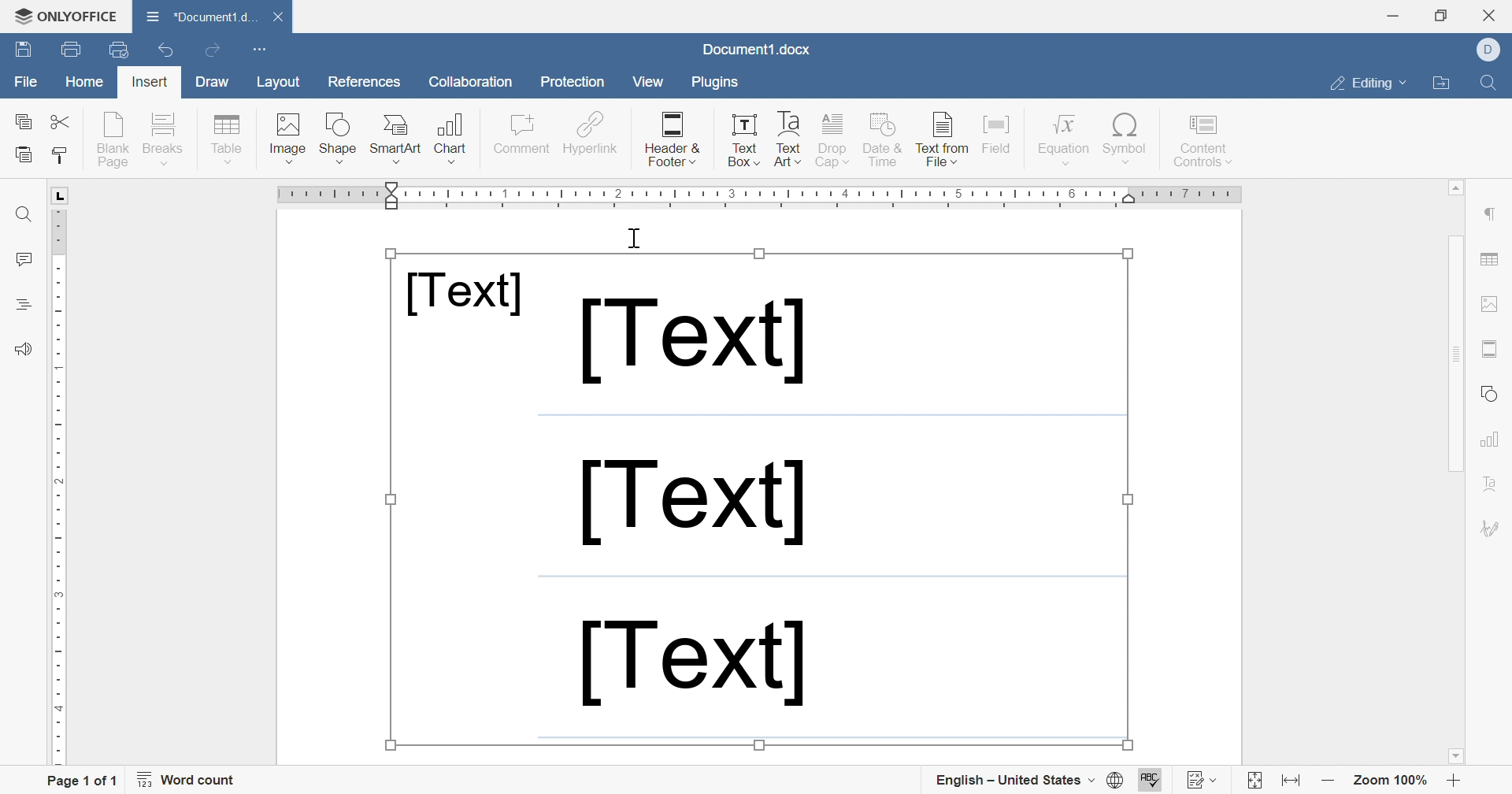 This screenshot has height=794, width=1512. I want to click on Table, so click(228, 139).